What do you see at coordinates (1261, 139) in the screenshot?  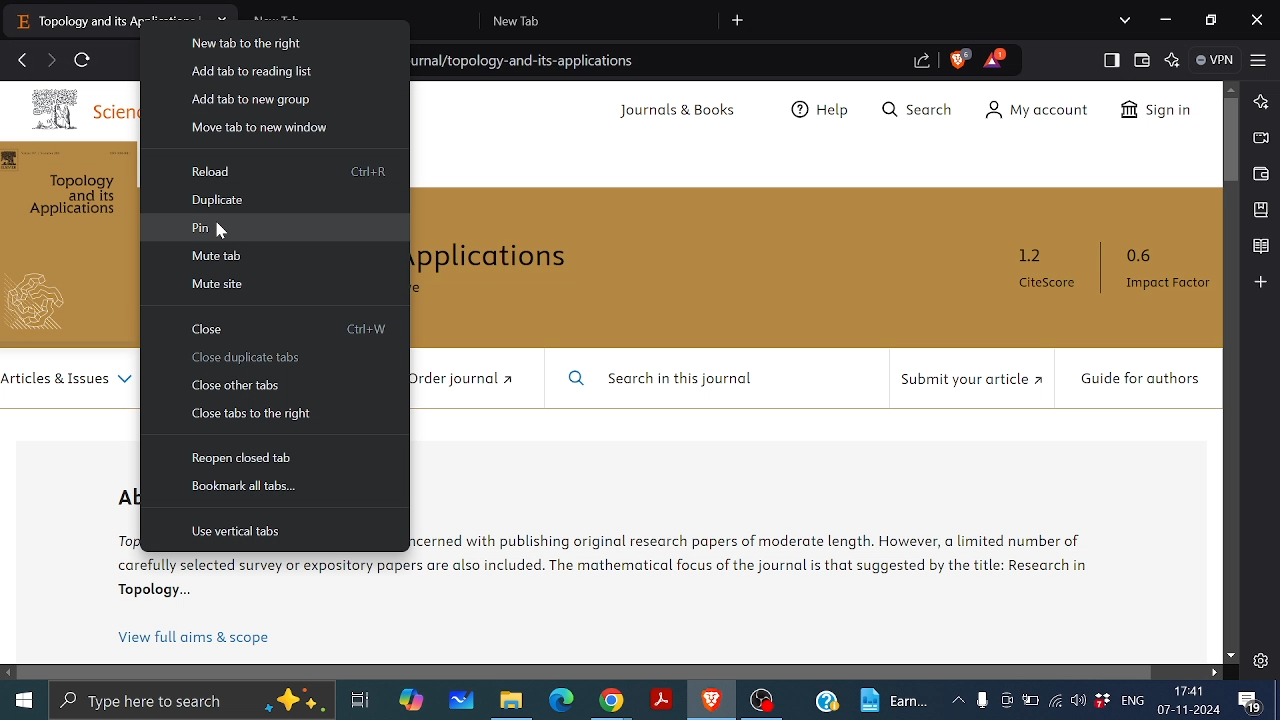 I see `Brave talk` at bounding box center [1261, 139].